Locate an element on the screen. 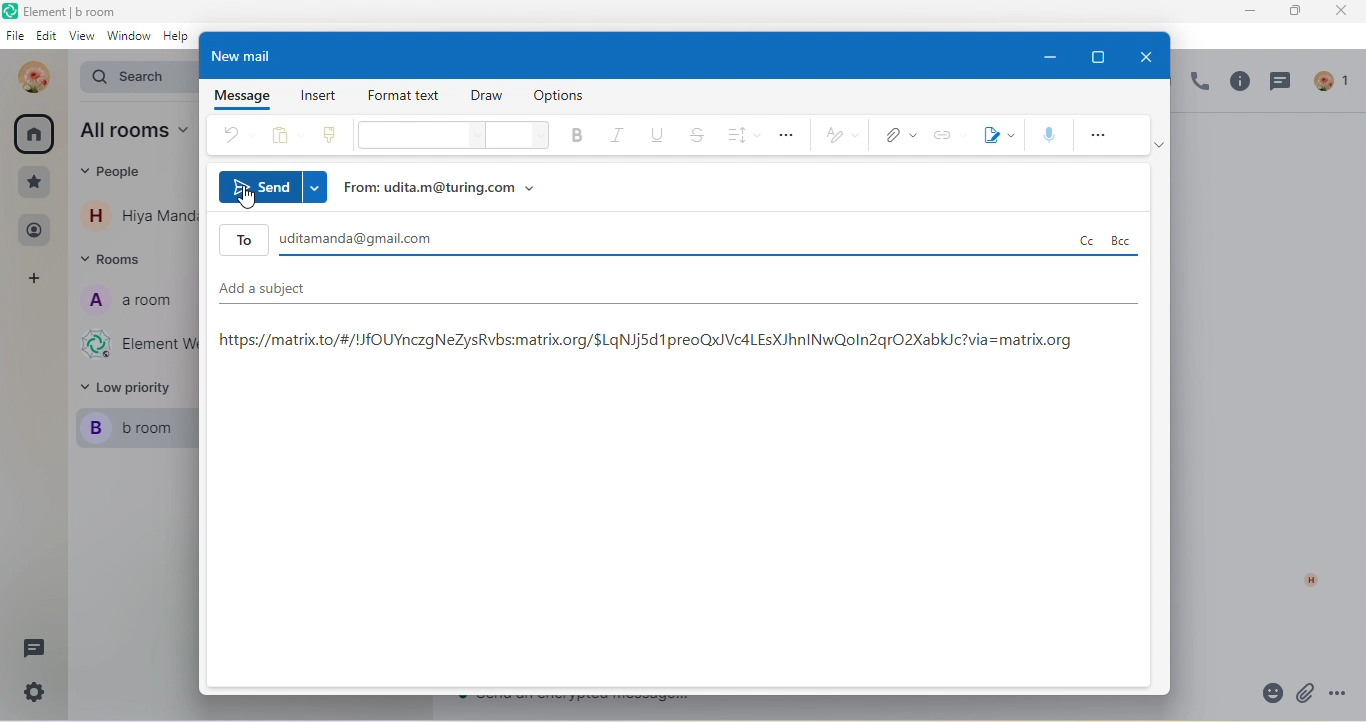 The image size is (1366, 722). a room is located at coordinates (130, 305).